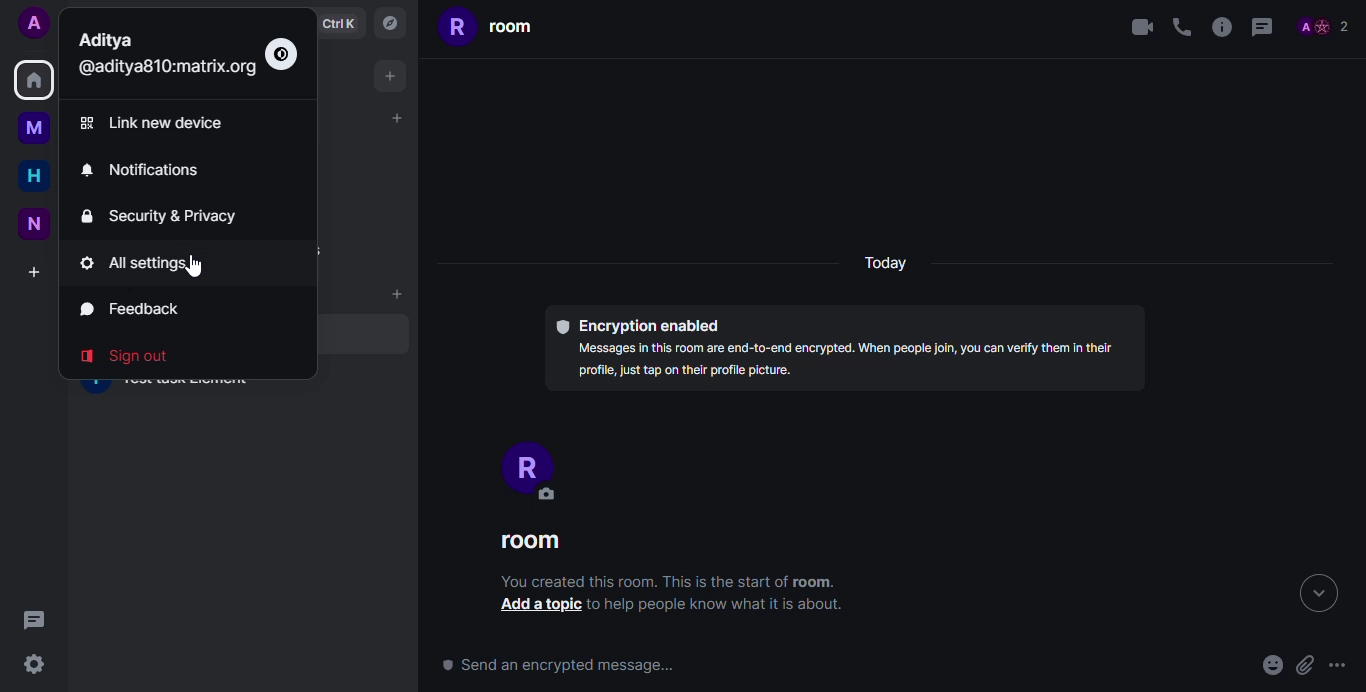 This screenshot has height=692, width=1366. Describe the element at coordinates (33, 619) in the screenshot. I see `threads` at that location.